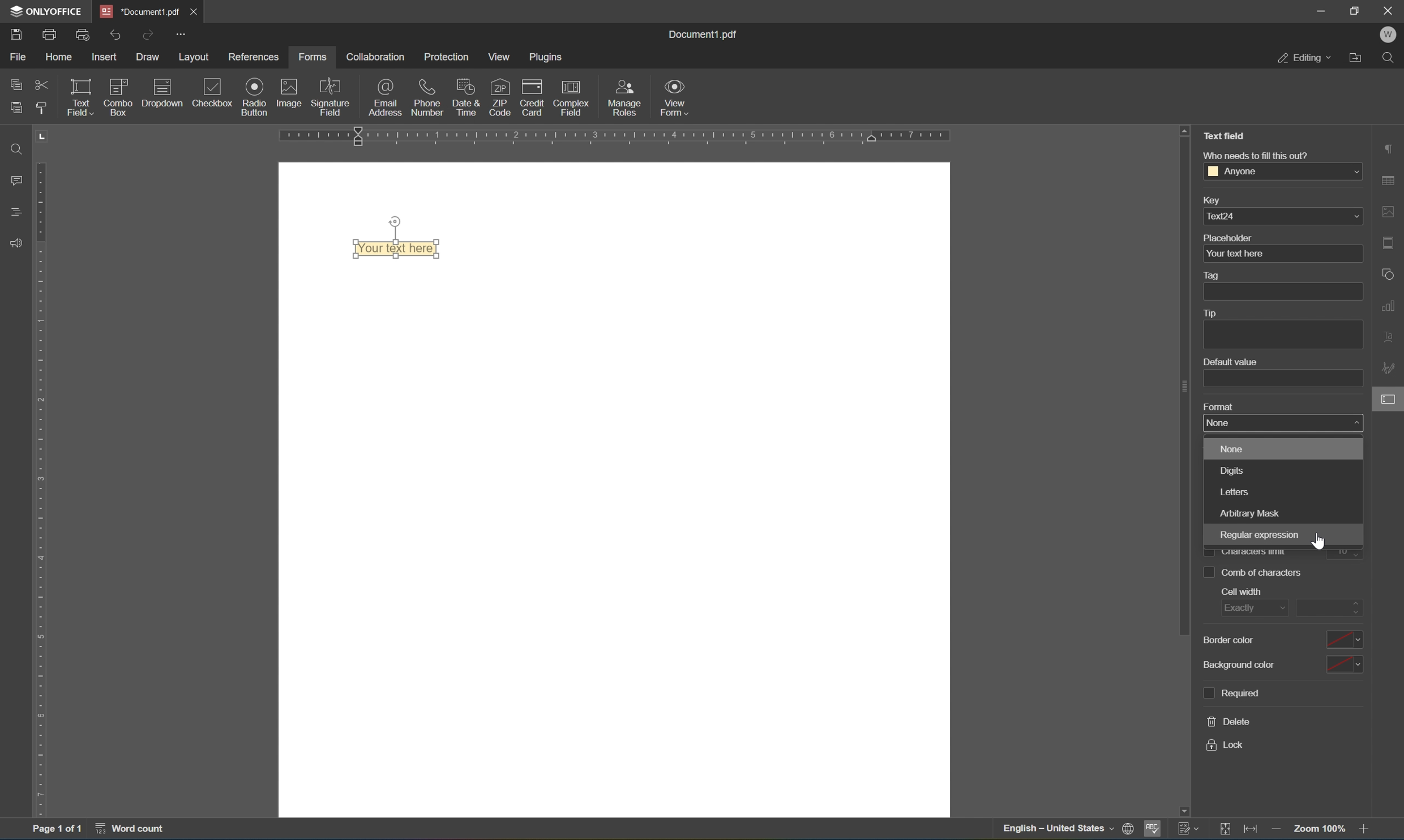  Describe the element at coordinates (1278, 832) in the screenshot. I see `zoom out` at that location.